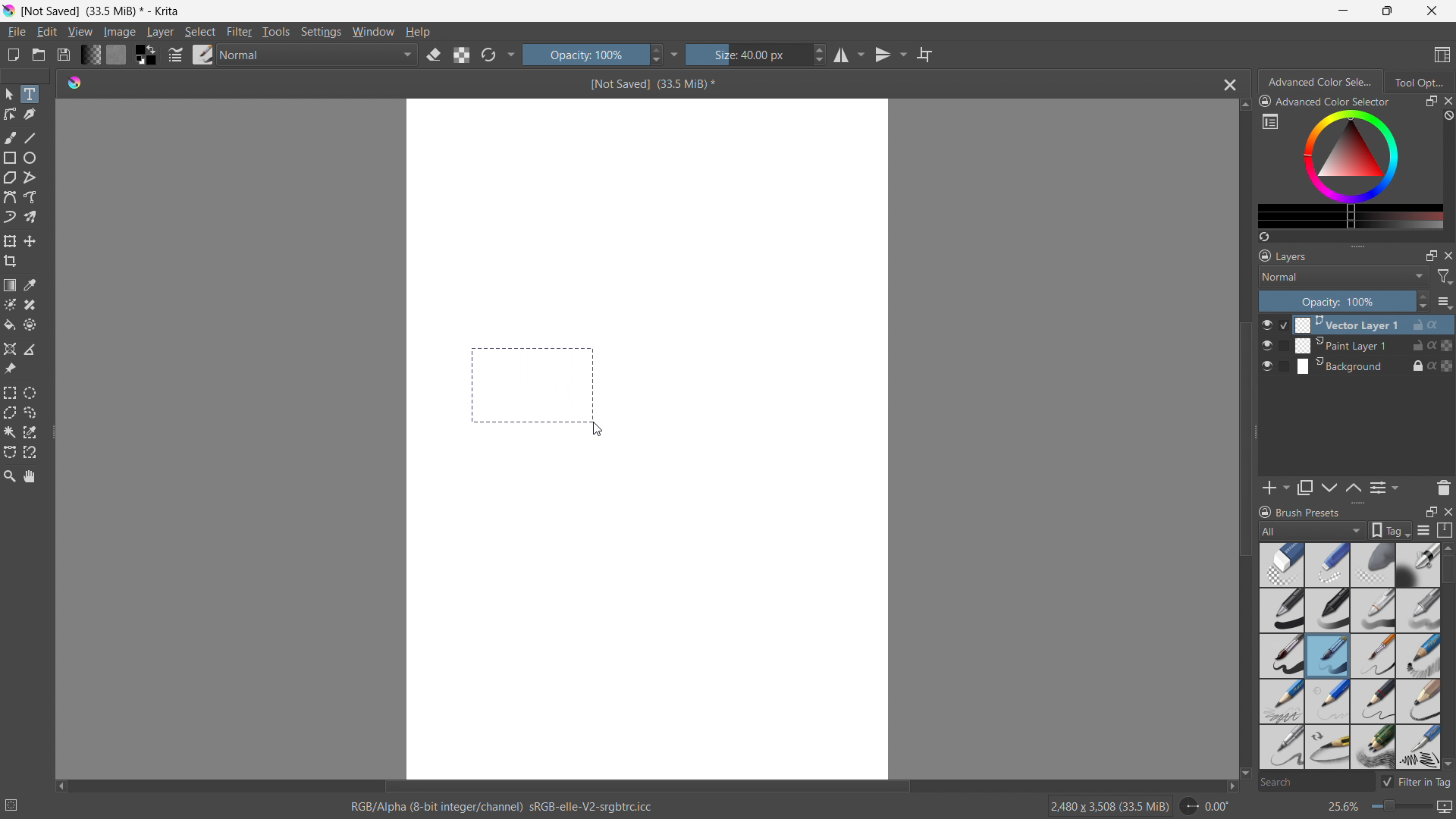 This screenshot has height=819, width=1456. Describe the element at coordinates (1416, 780) in the screenshot. I see `filter in tag` at that location.